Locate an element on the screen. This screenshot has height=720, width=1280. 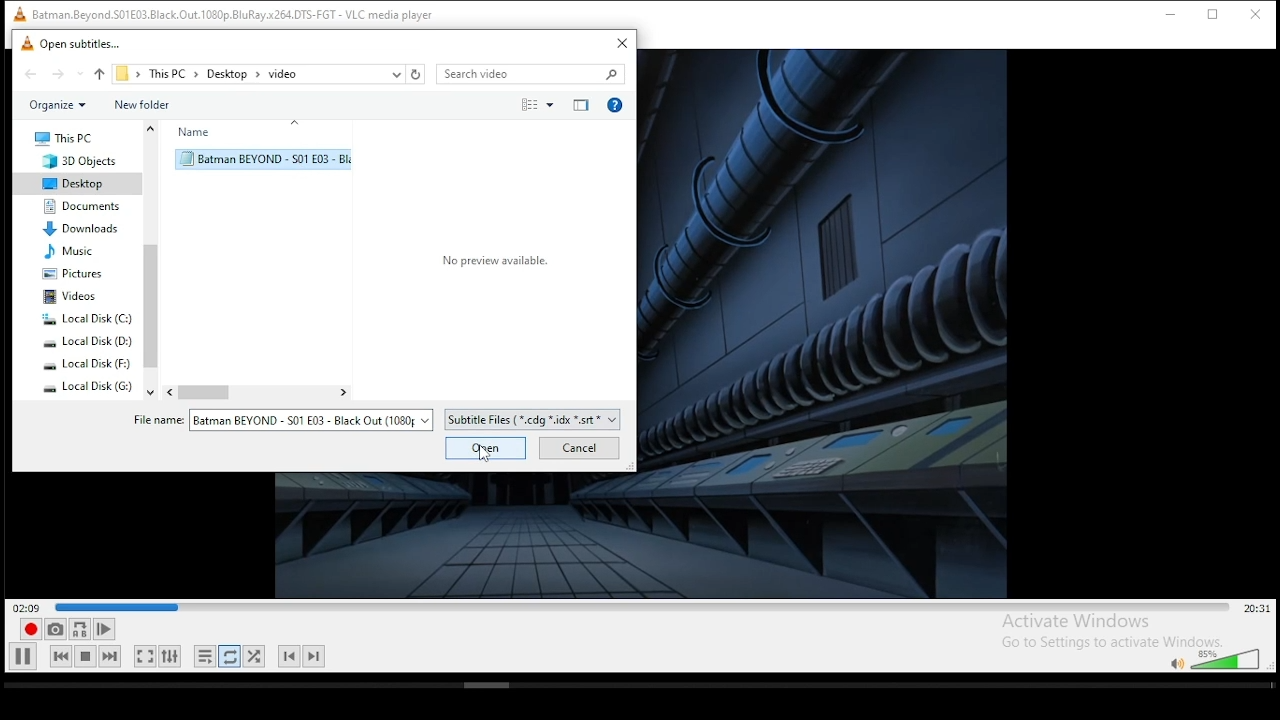
search bar is located at coordinates (530, 72).